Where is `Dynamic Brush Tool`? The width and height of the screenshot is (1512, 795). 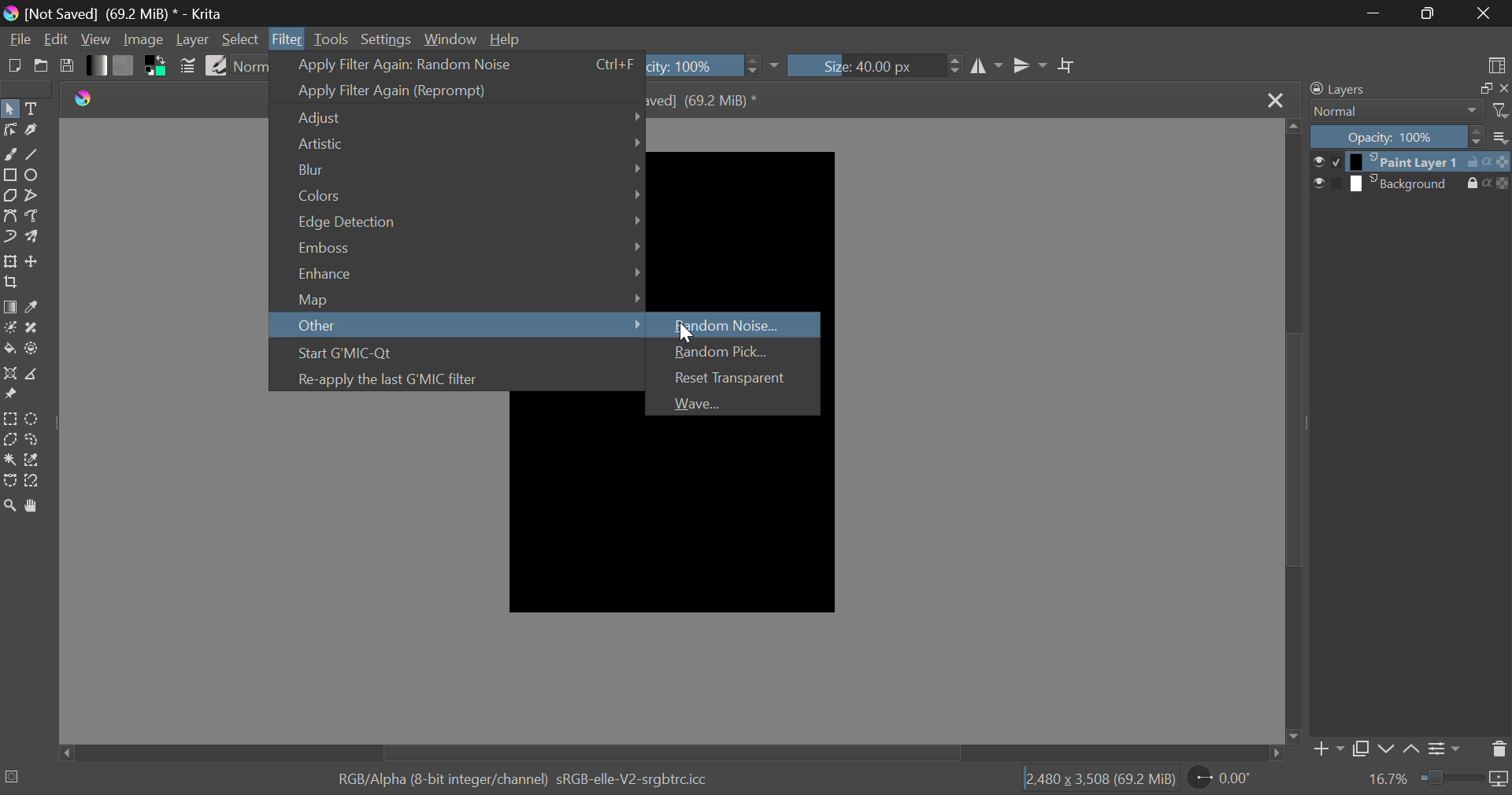 Dynamic Brush Tool is located at coordinates (9, 238).